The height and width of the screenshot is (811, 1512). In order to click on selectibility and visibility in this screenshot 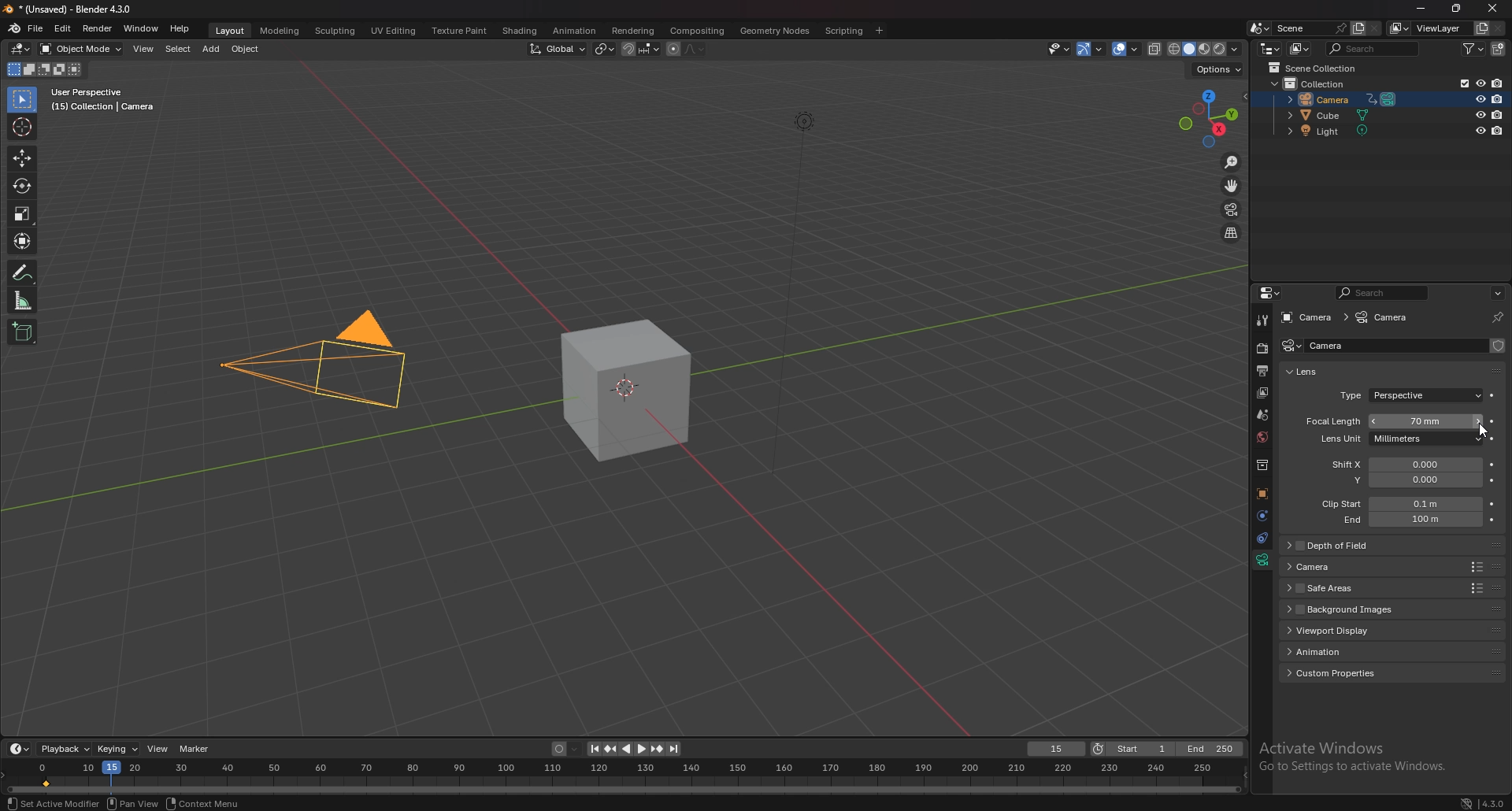, I will do `click(1058, 49)`.